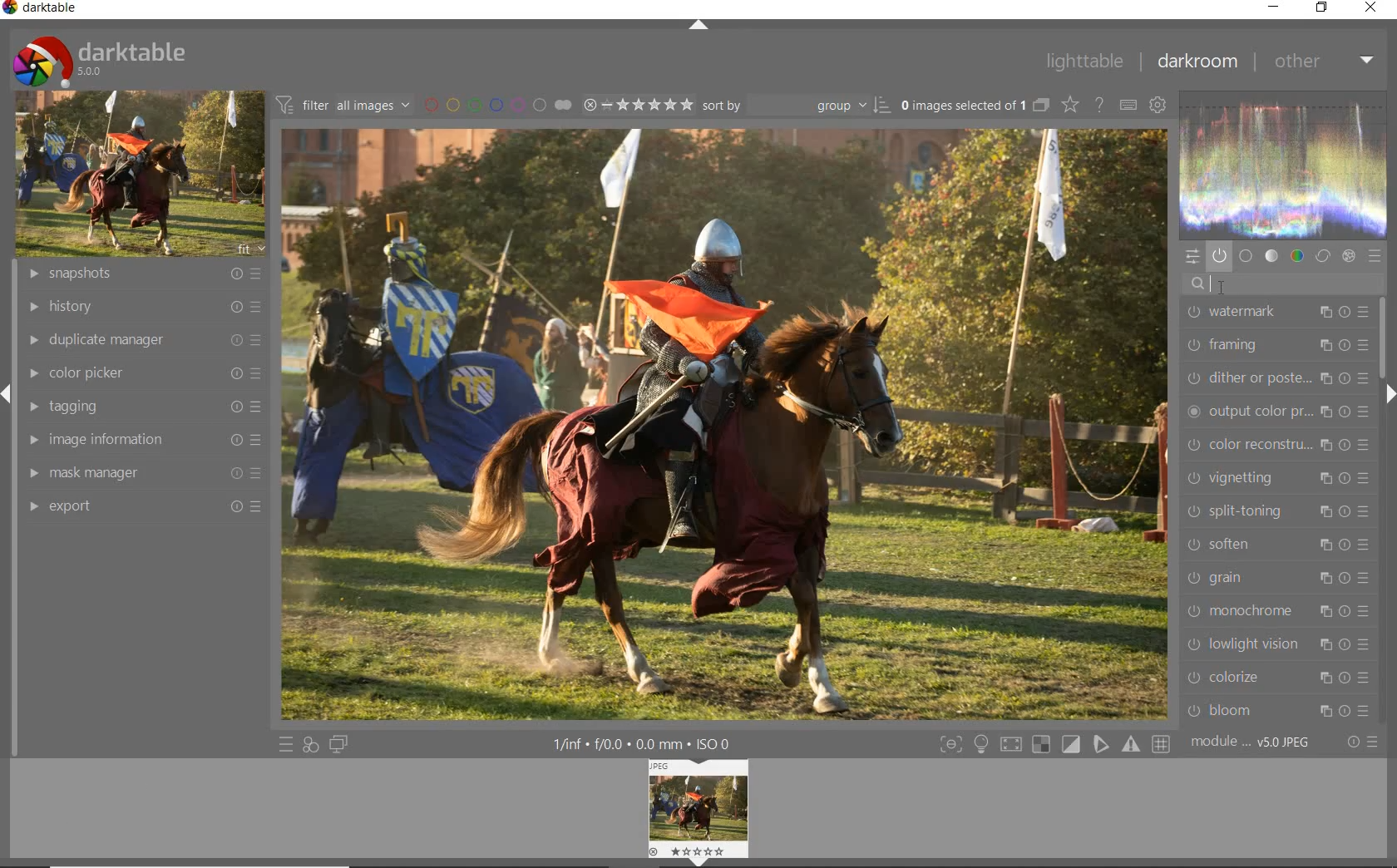 Image resolution: width=1397 pixels, height=868 pixels. What do you see at coordinates (1276, 7) in the screenshot?
I see `minimize` at bounding box center [1276, 7].